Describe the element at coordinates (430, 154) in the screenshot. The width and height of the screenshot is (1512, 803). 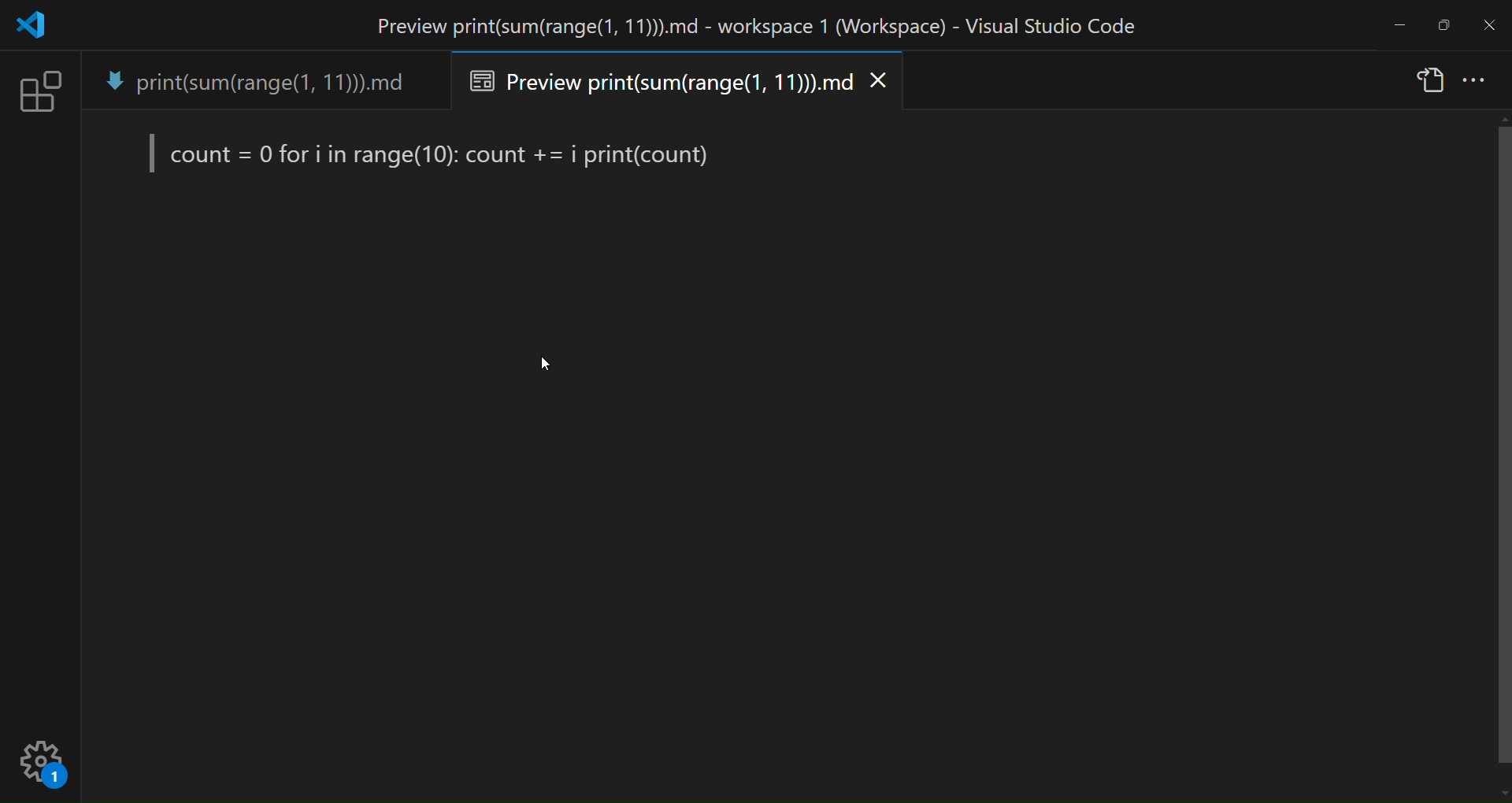
I see `preview` at that location.